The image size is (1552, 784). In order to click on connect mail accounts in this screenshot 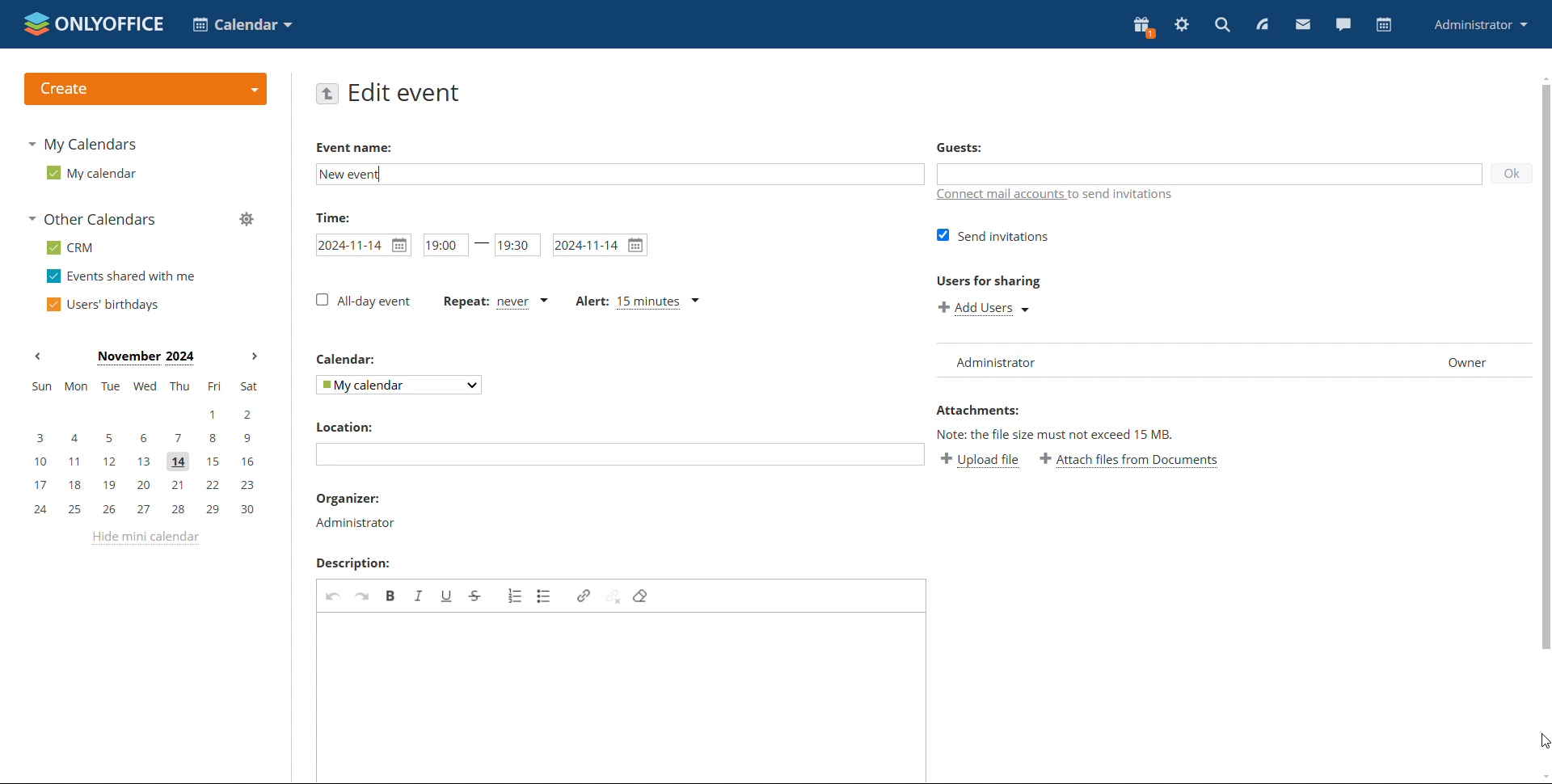, I will do `click(1056, 194)`.